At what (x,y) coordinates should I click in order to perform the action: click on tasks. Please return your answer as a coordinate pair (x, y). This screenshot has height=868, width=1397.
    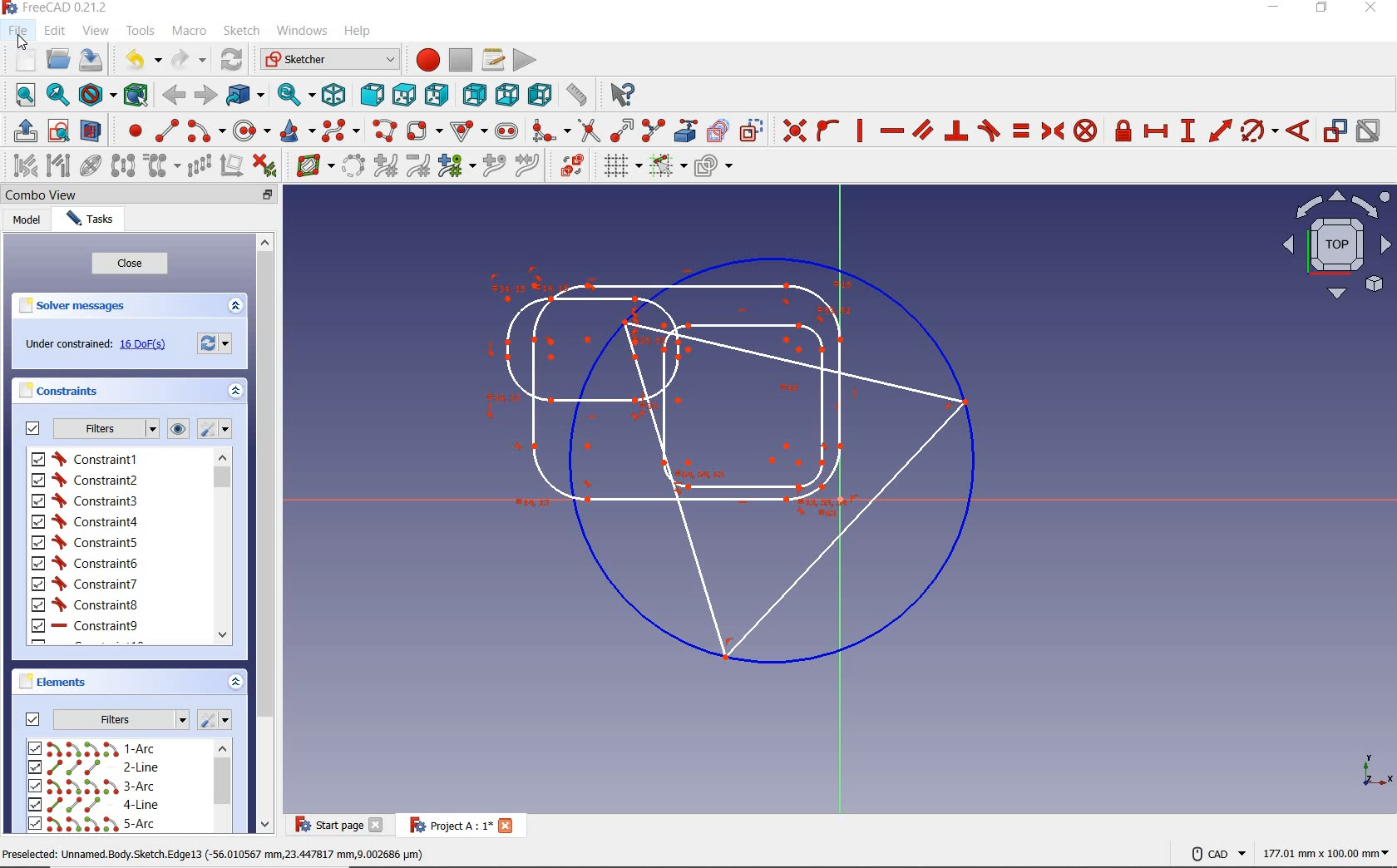
    Looking at the image, I should click on (95, 220).